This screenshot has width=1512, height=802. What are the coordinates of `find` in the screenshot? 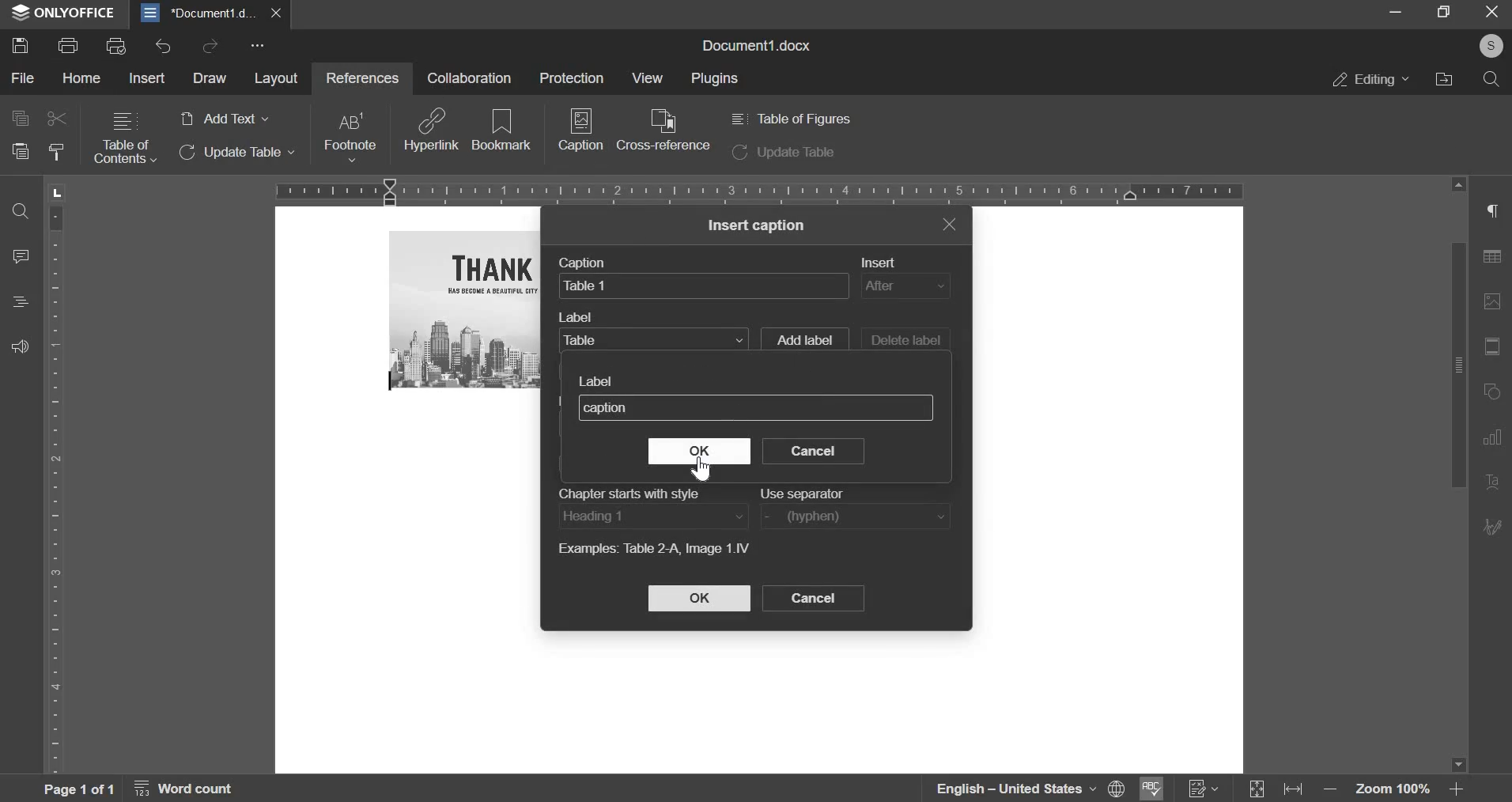 It's located at (20, 213).